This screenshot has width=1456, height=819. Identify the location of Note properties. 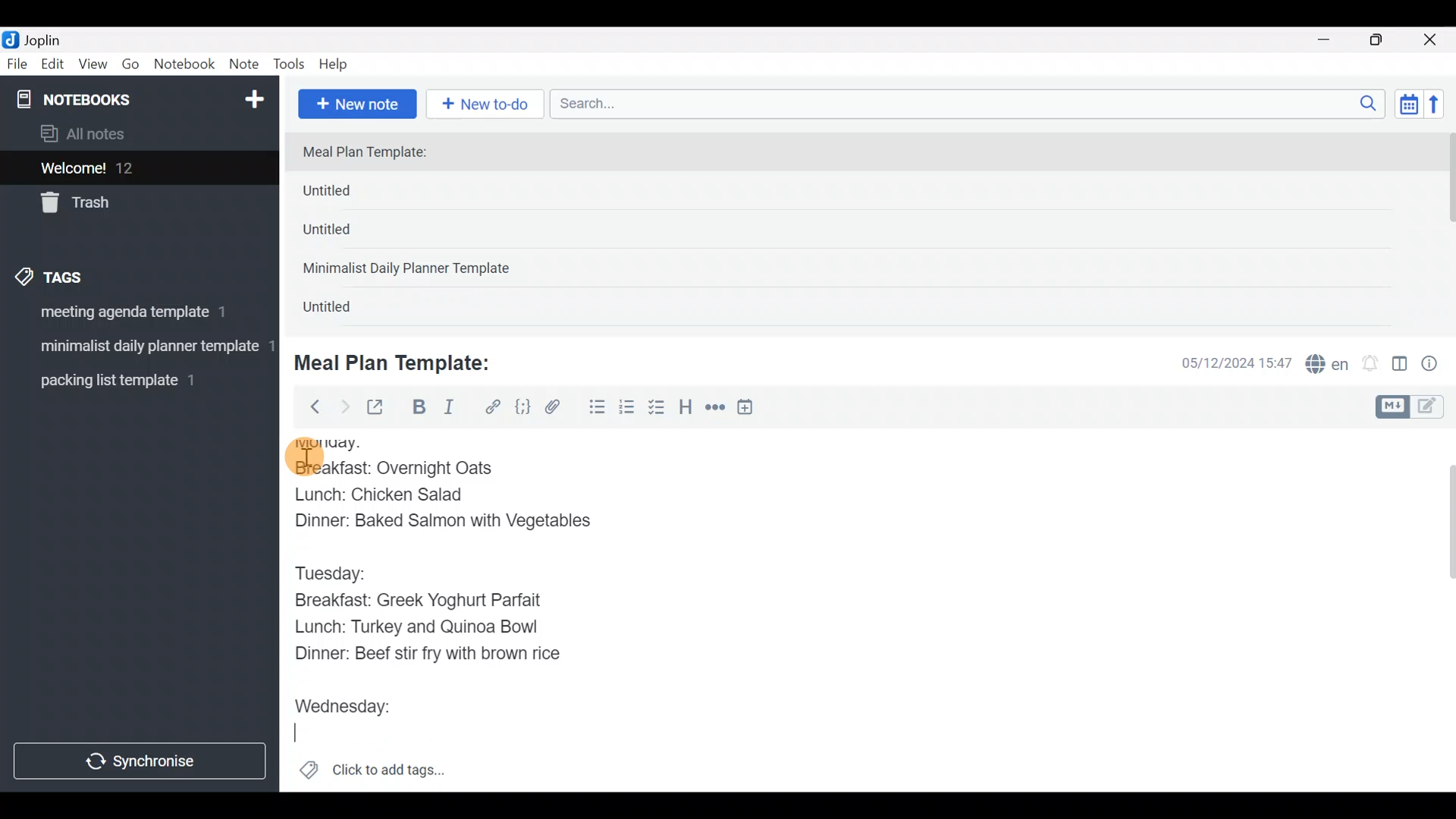
(1436, 365).